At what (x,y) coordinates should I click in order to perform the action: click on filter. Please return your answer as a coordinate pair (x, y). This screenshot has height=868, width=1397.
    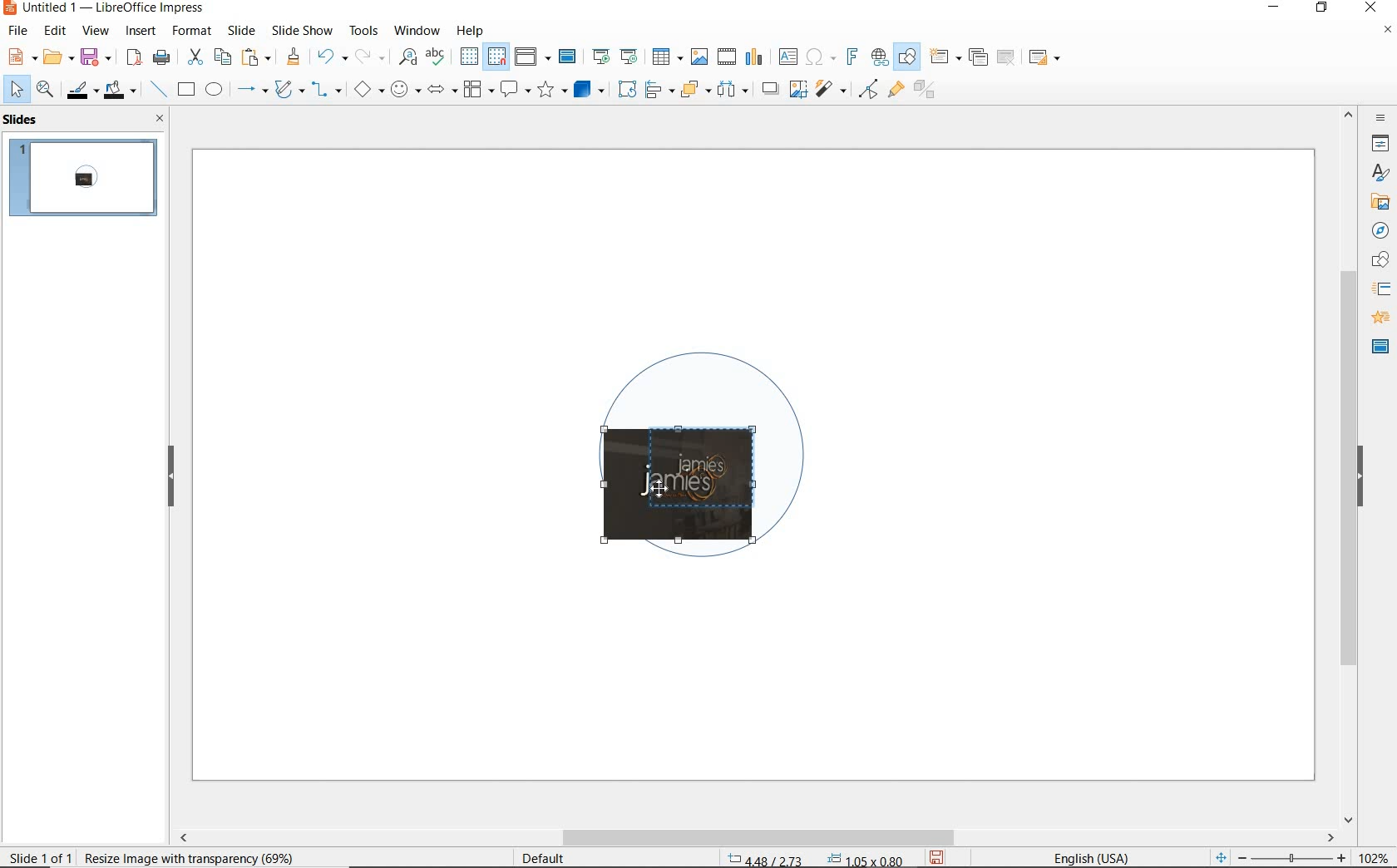
    Looking at the image, I should click on (868, 86).